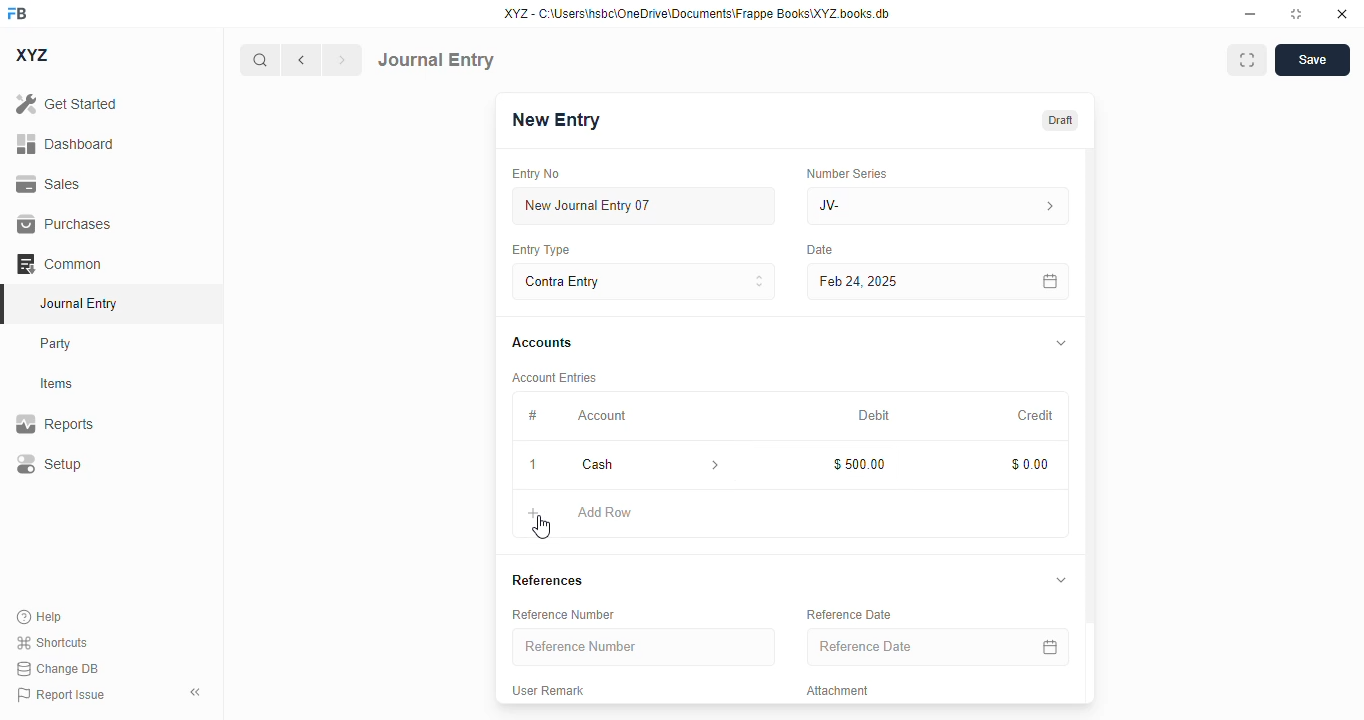 The image size is (1364, 720). I want to click on search, so click(259, 60).